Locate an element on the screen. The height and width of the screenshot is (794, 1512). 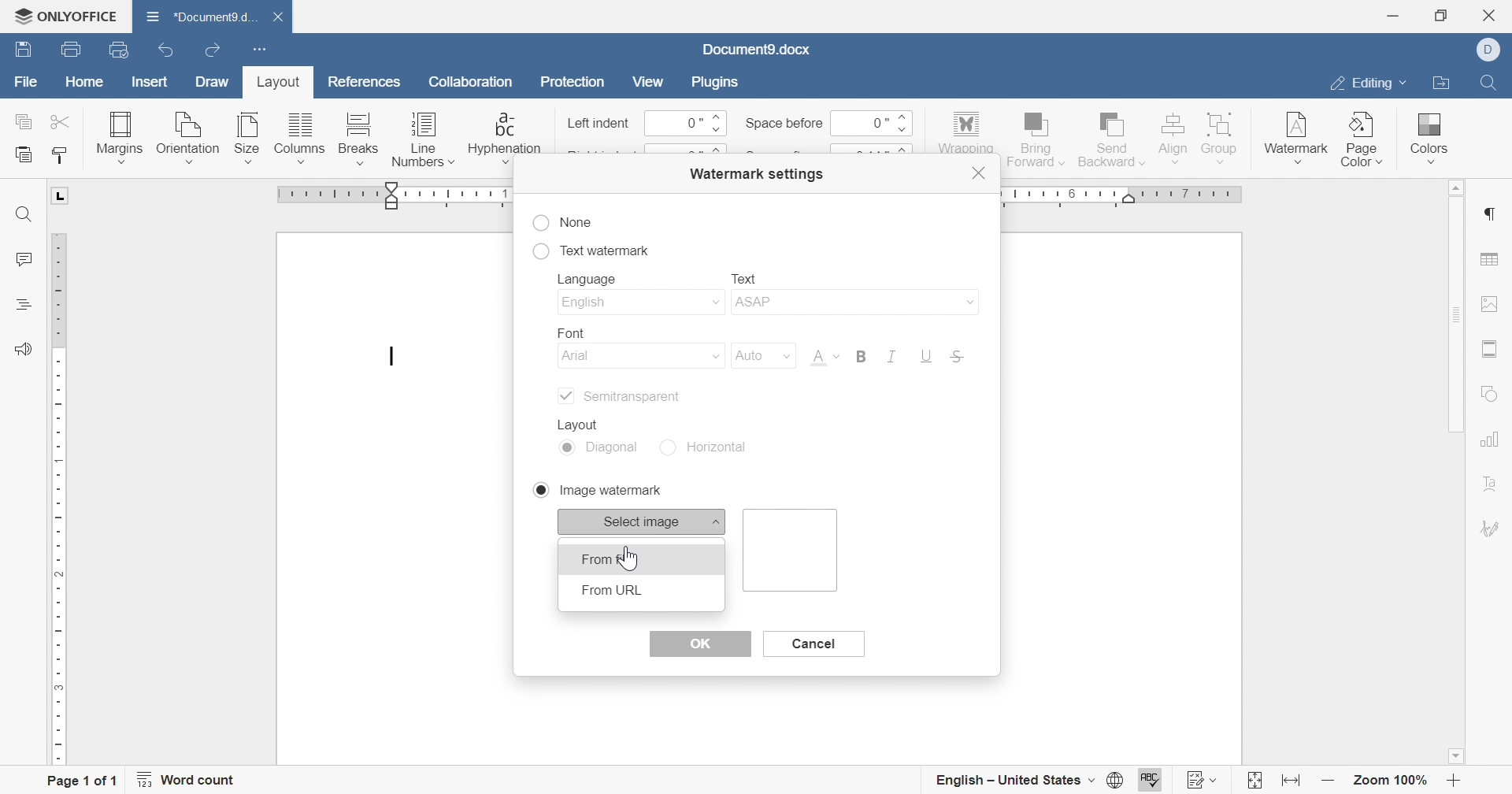
size is located at coordinates (246, 138).